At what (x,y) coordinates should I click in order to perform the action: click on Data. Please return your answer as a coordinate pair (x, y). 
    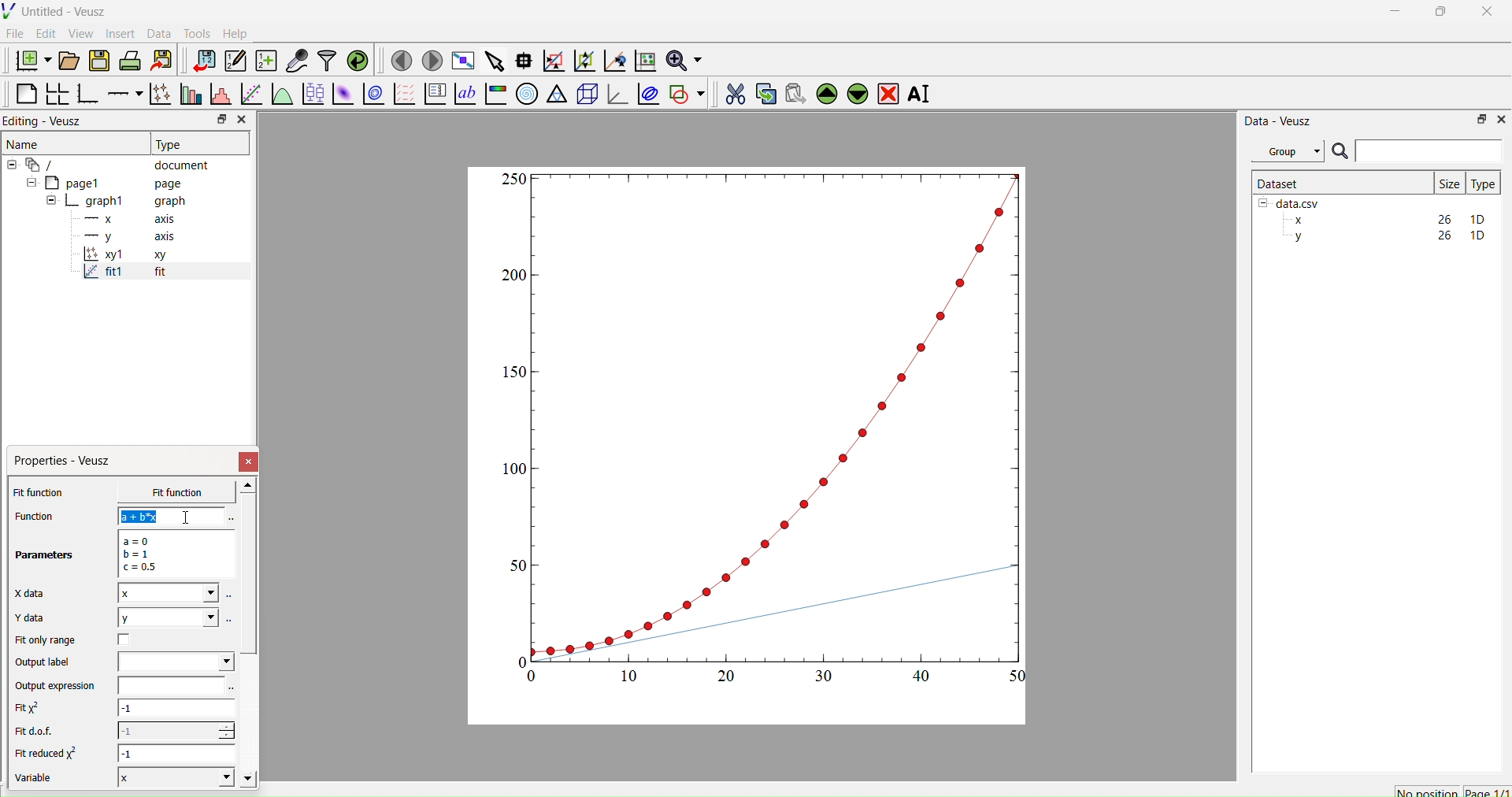
    Looking at the image, I should click on (158, 34).